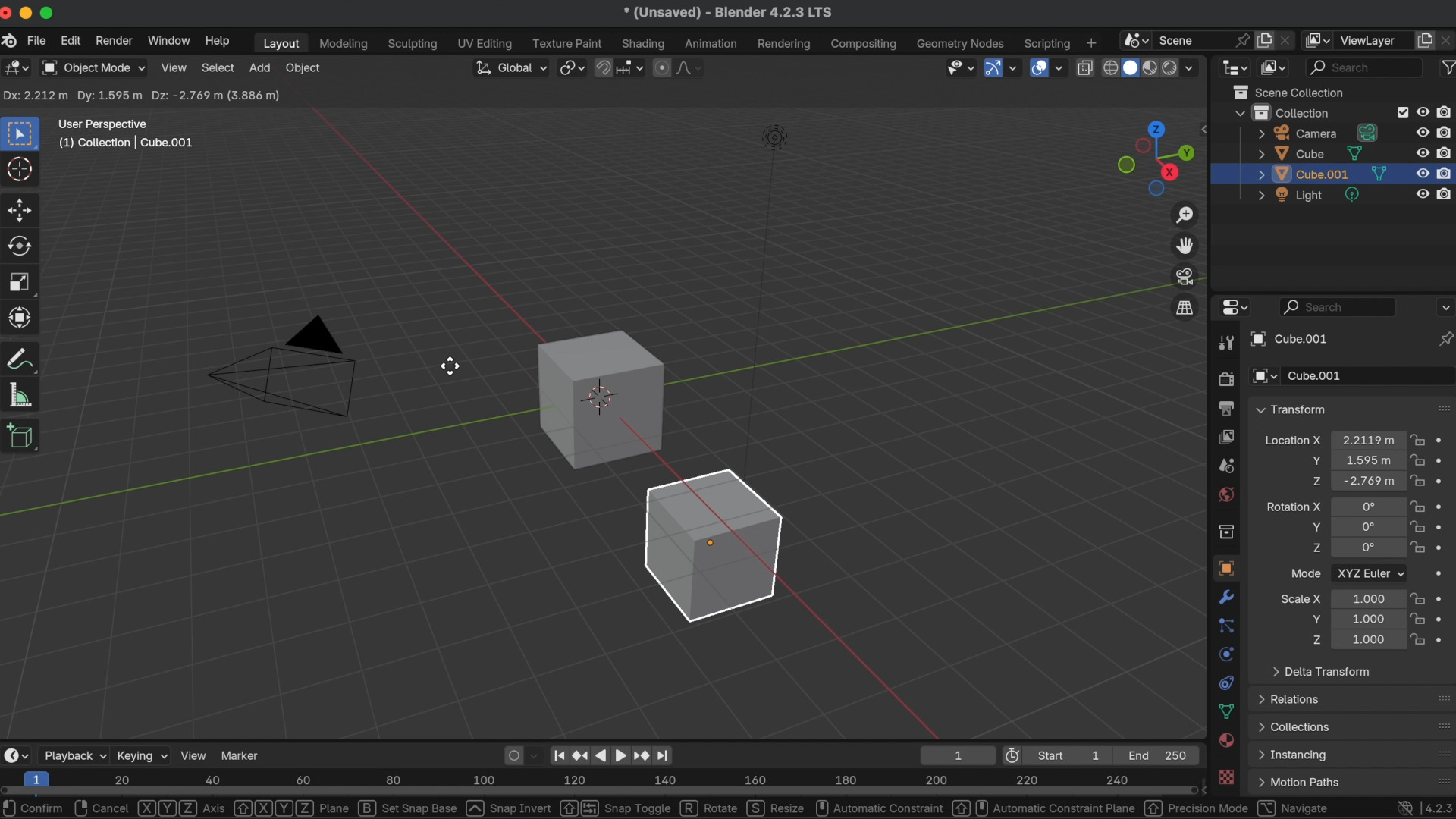 Image resolution: width=1456 pixels, height=819 pixels. Describe the element at coordinates (1442, 598) in the screenshot. I see `animate property` at that location.